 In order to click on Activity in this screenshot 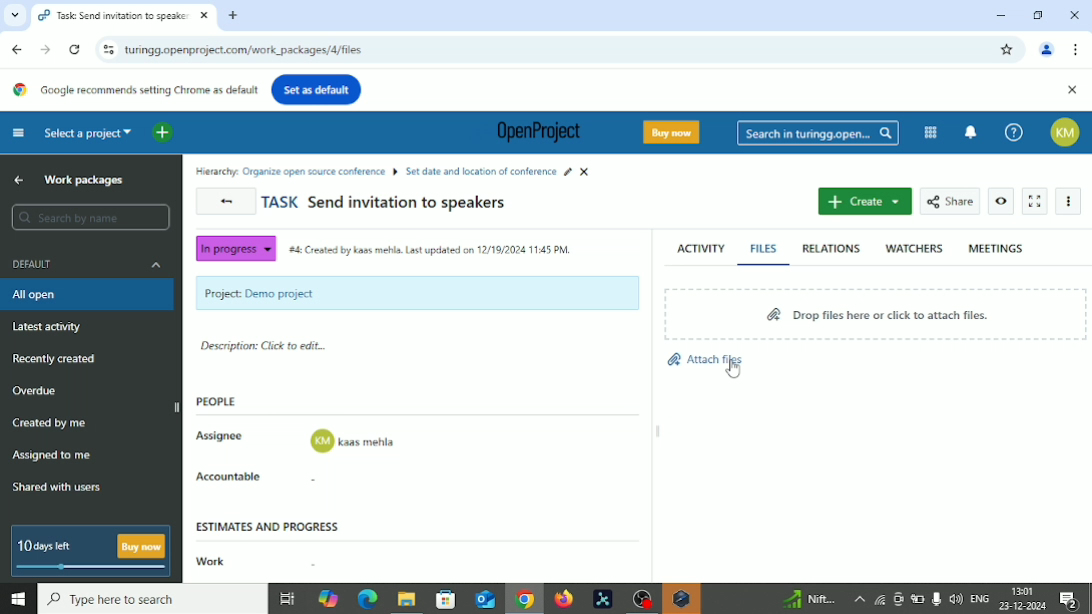, I will do `click(700, 246)`.